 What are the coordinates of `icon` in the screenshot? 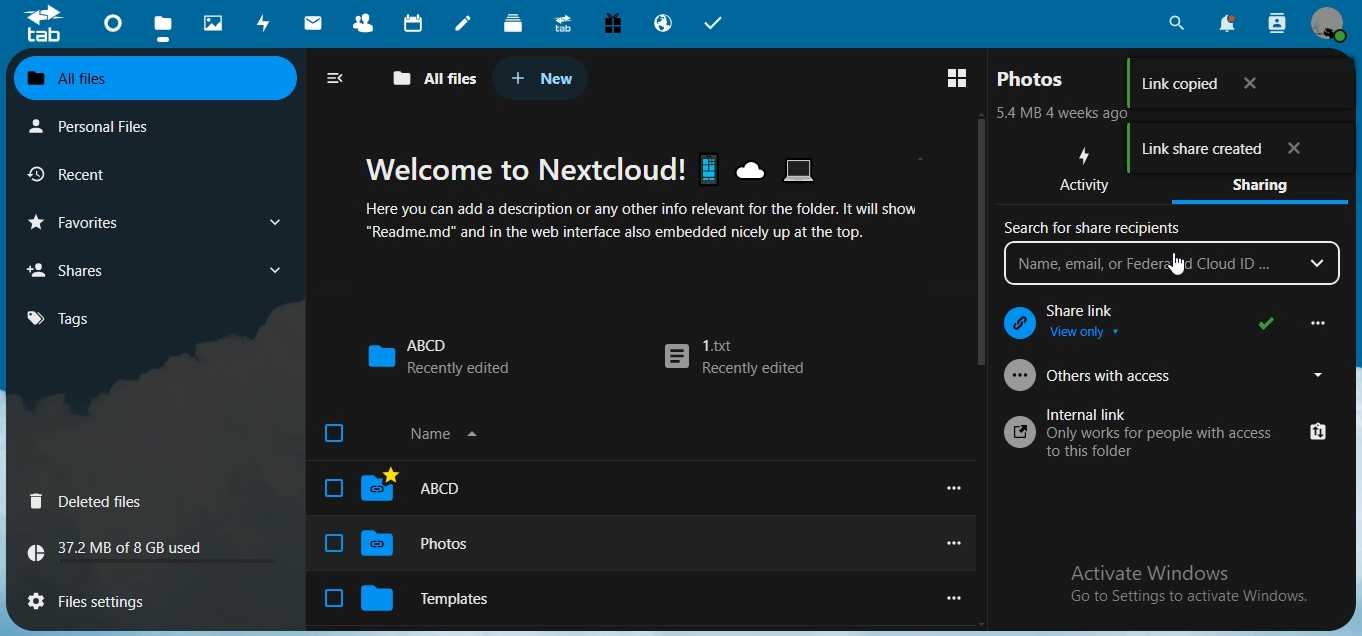 It's located at (43, 23).